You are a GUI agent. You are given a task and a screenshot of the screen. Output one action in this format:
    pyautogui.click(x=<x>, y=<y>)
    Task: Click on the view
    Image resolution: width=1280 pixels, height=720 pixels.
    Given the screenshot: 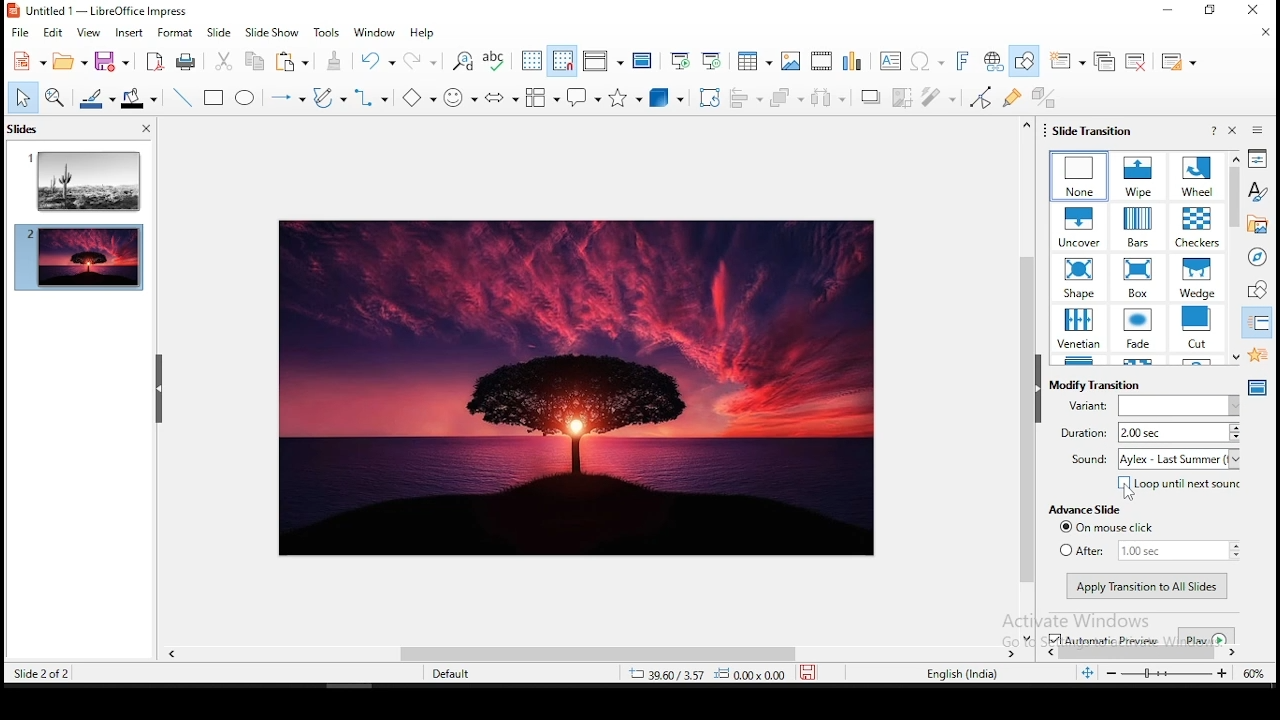 What is the action you would take?
    pyautogui.click(x=84, y=31)
    